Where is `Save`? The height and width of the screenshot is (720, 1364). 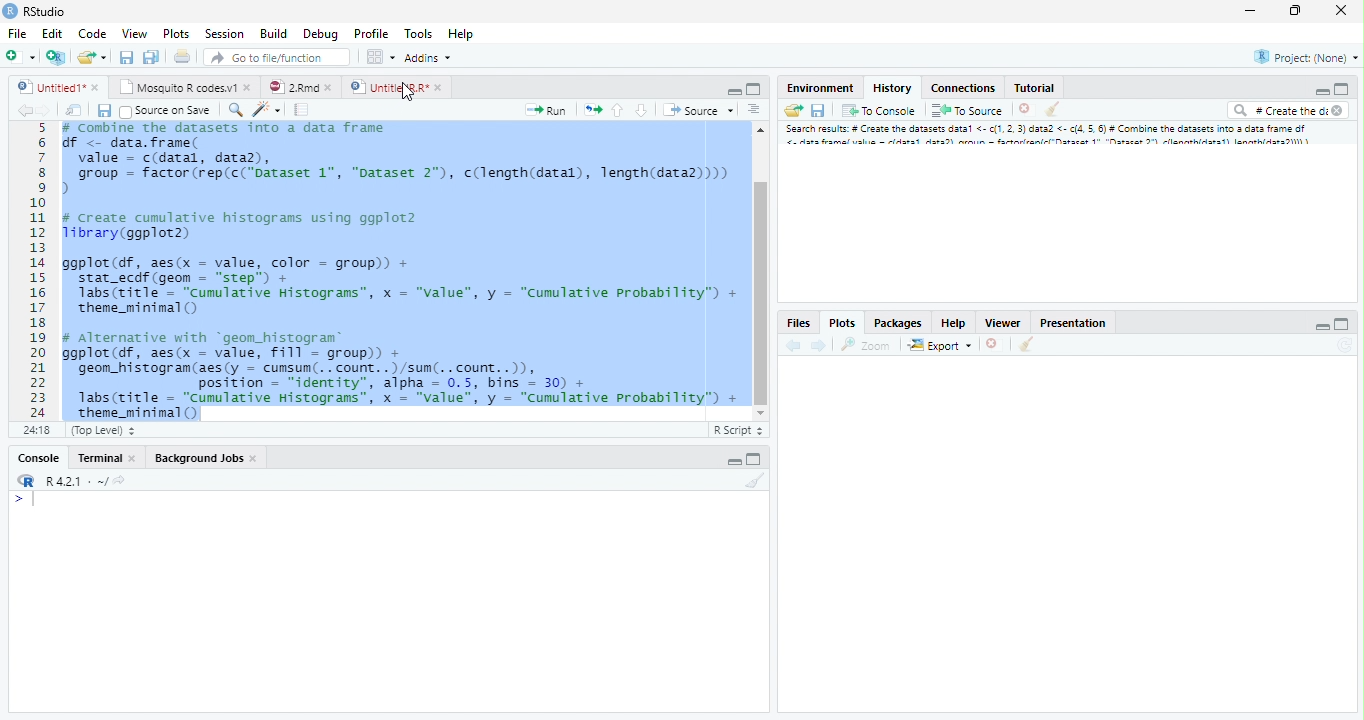
Save is located at coordinates (822, 109).